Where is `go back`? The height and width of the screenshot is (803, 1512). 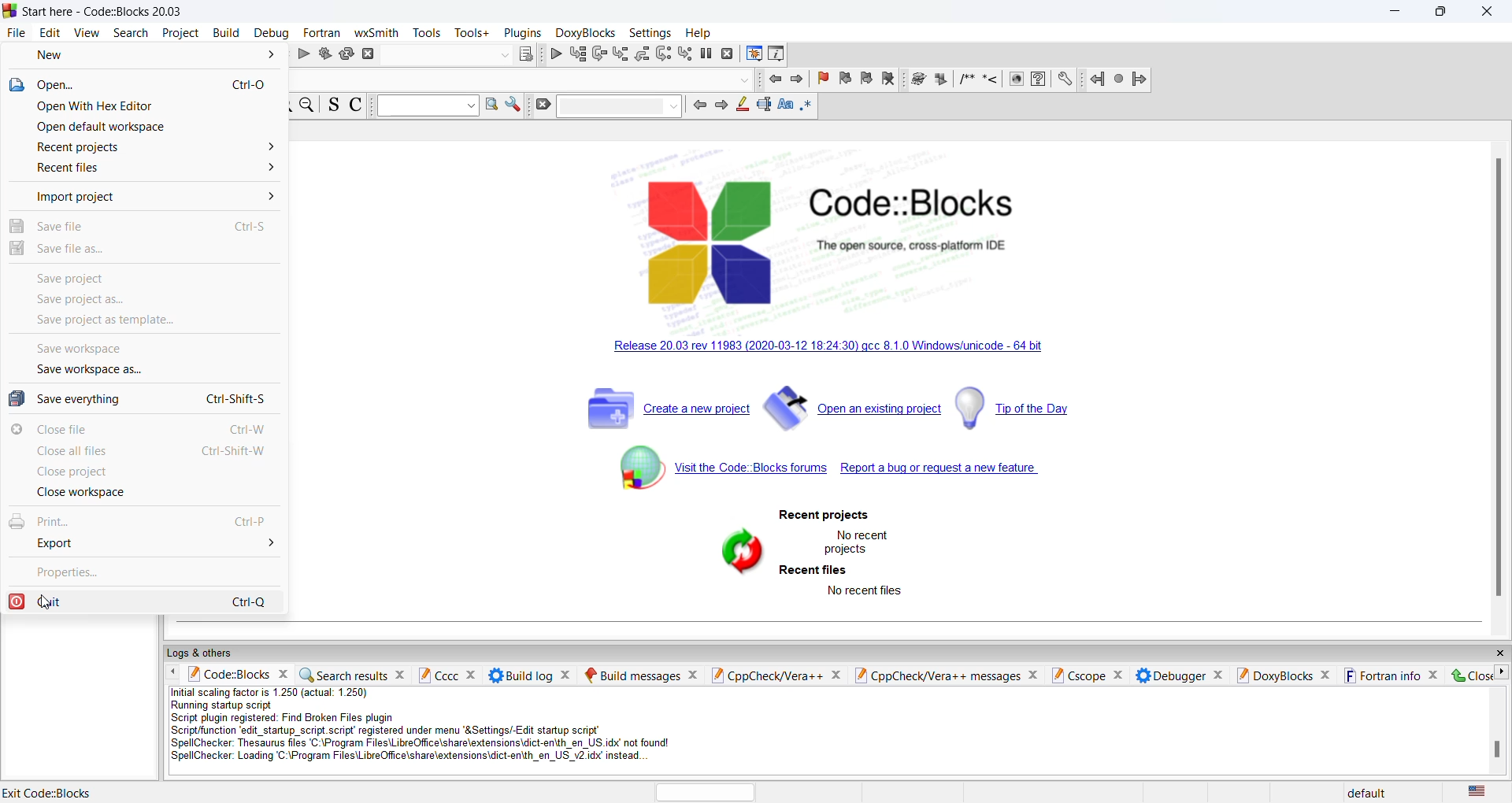 go back is located at coordinates (776, 80).